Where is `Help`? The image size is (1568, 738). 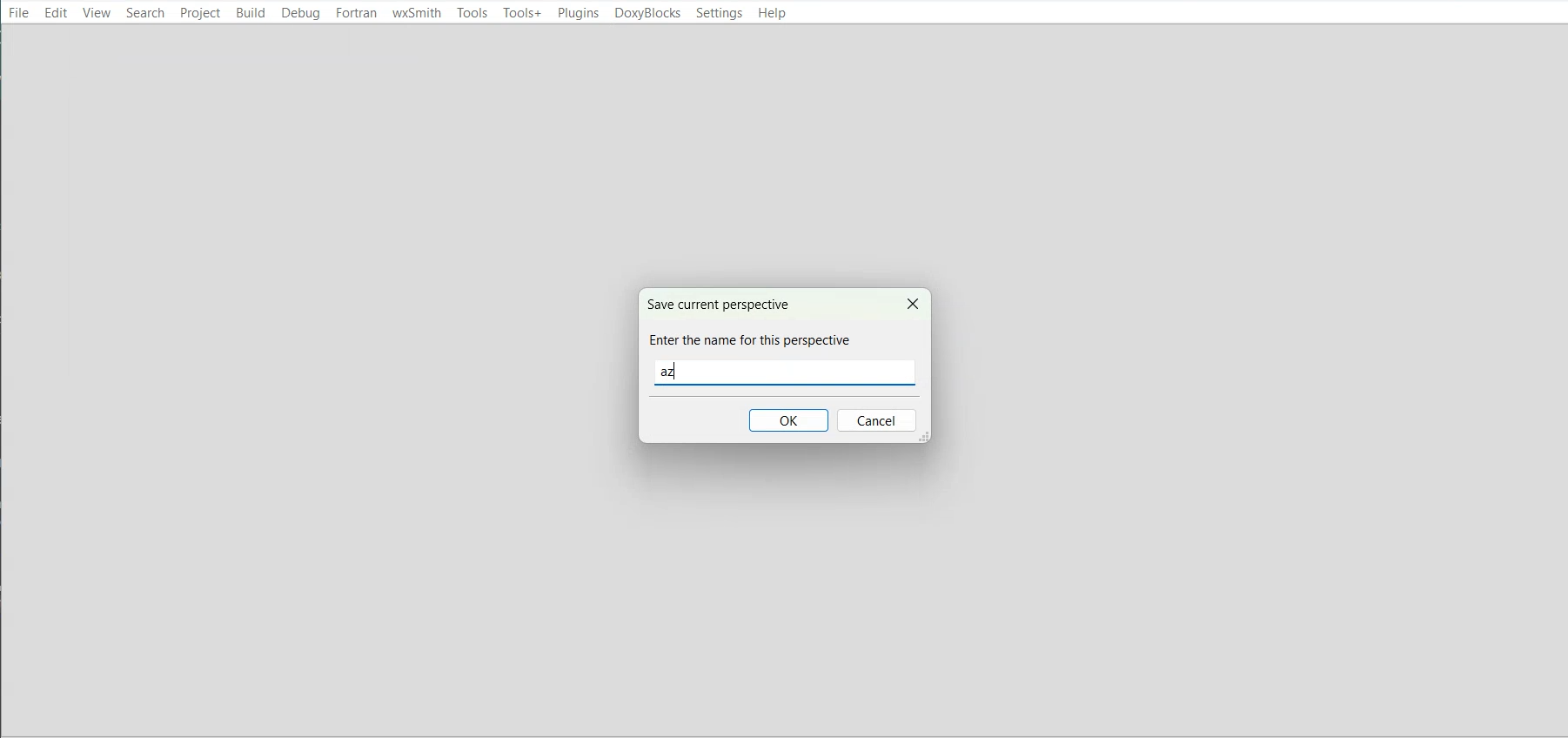 Help is located at coordinates (770, 14).